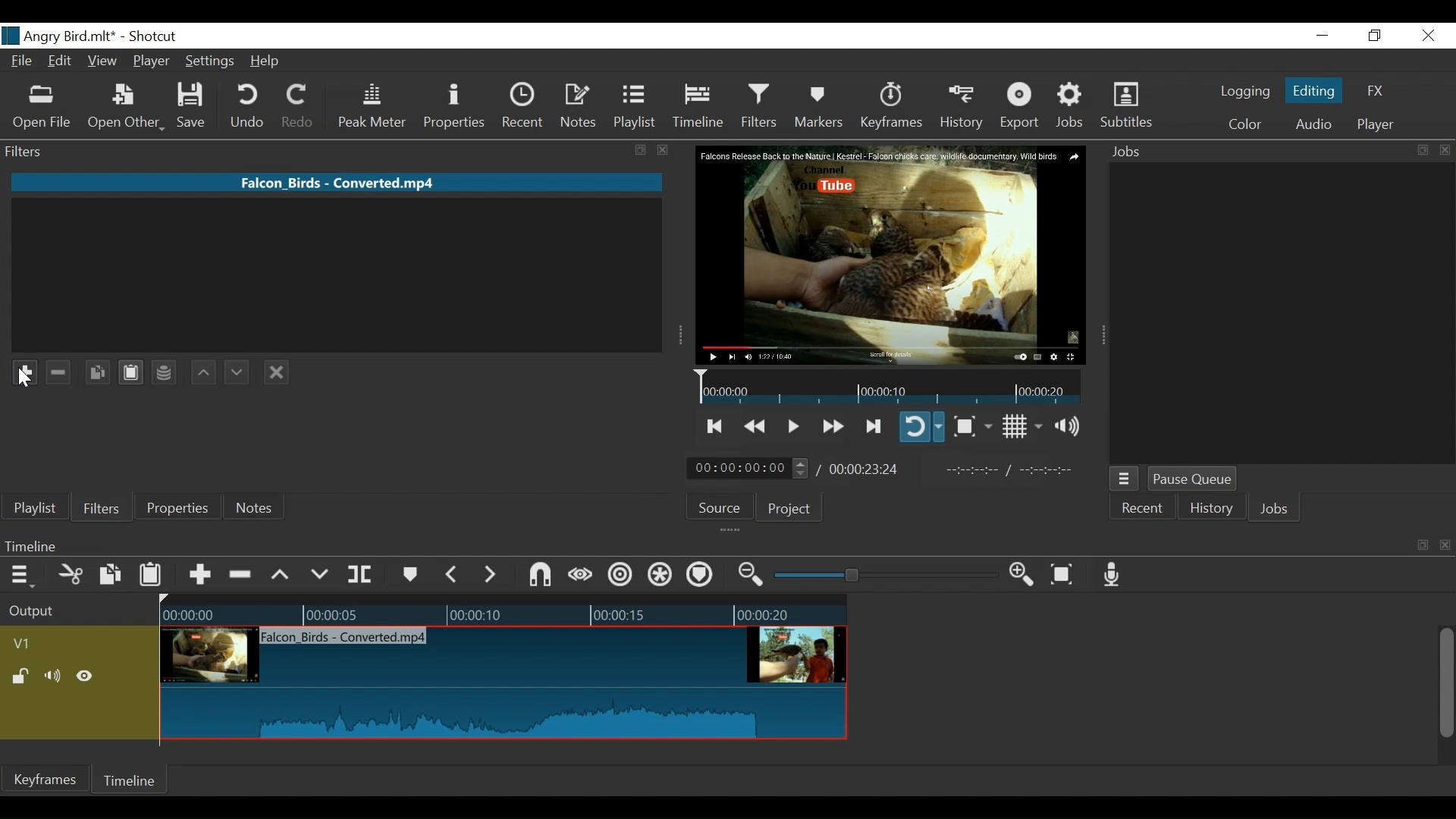  Describe the element at coordinates (664, 150) in the screenshot. I see `close` at that location.